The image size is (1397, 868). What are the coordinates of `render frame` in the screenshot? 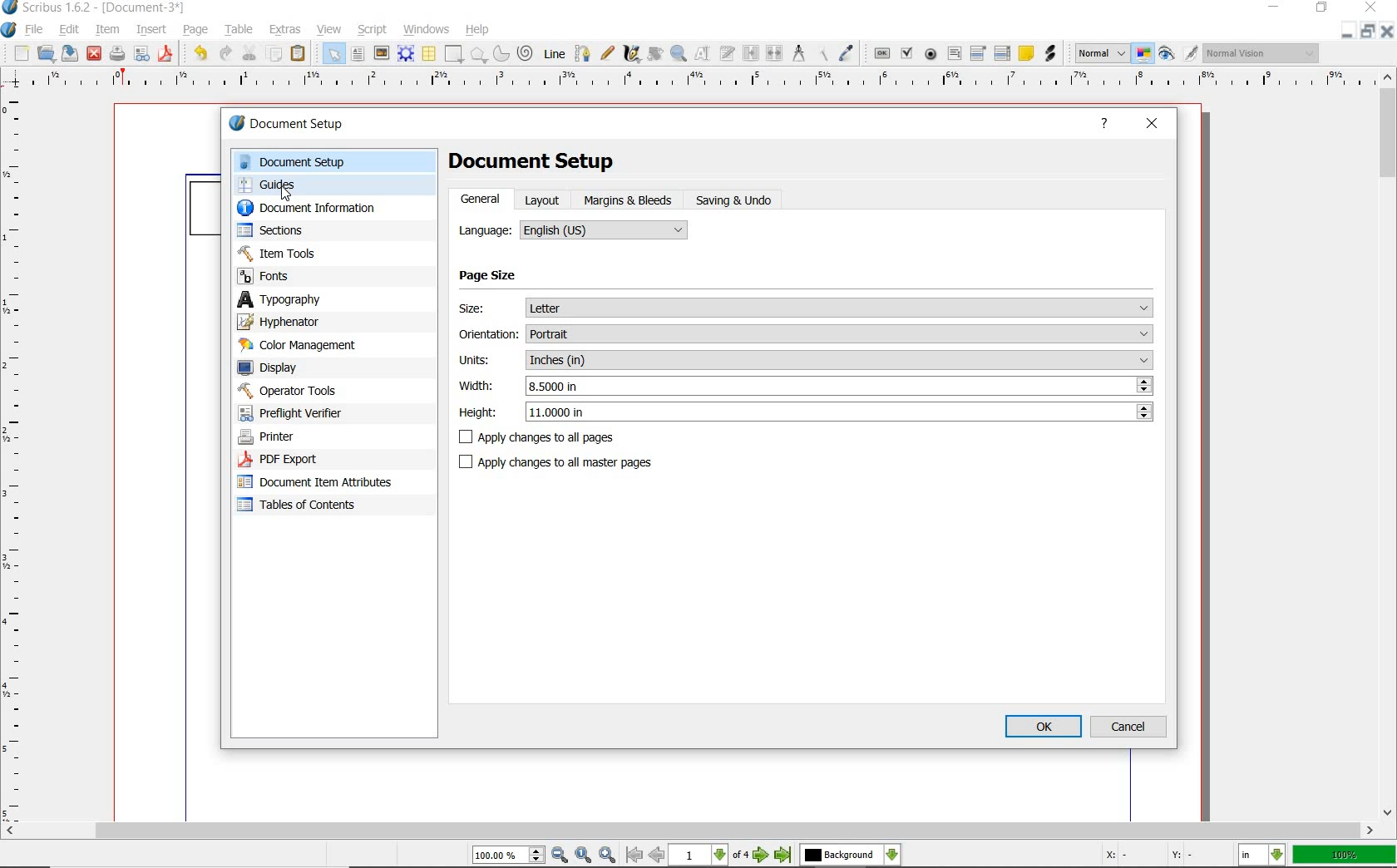 It's located at (406, 54).